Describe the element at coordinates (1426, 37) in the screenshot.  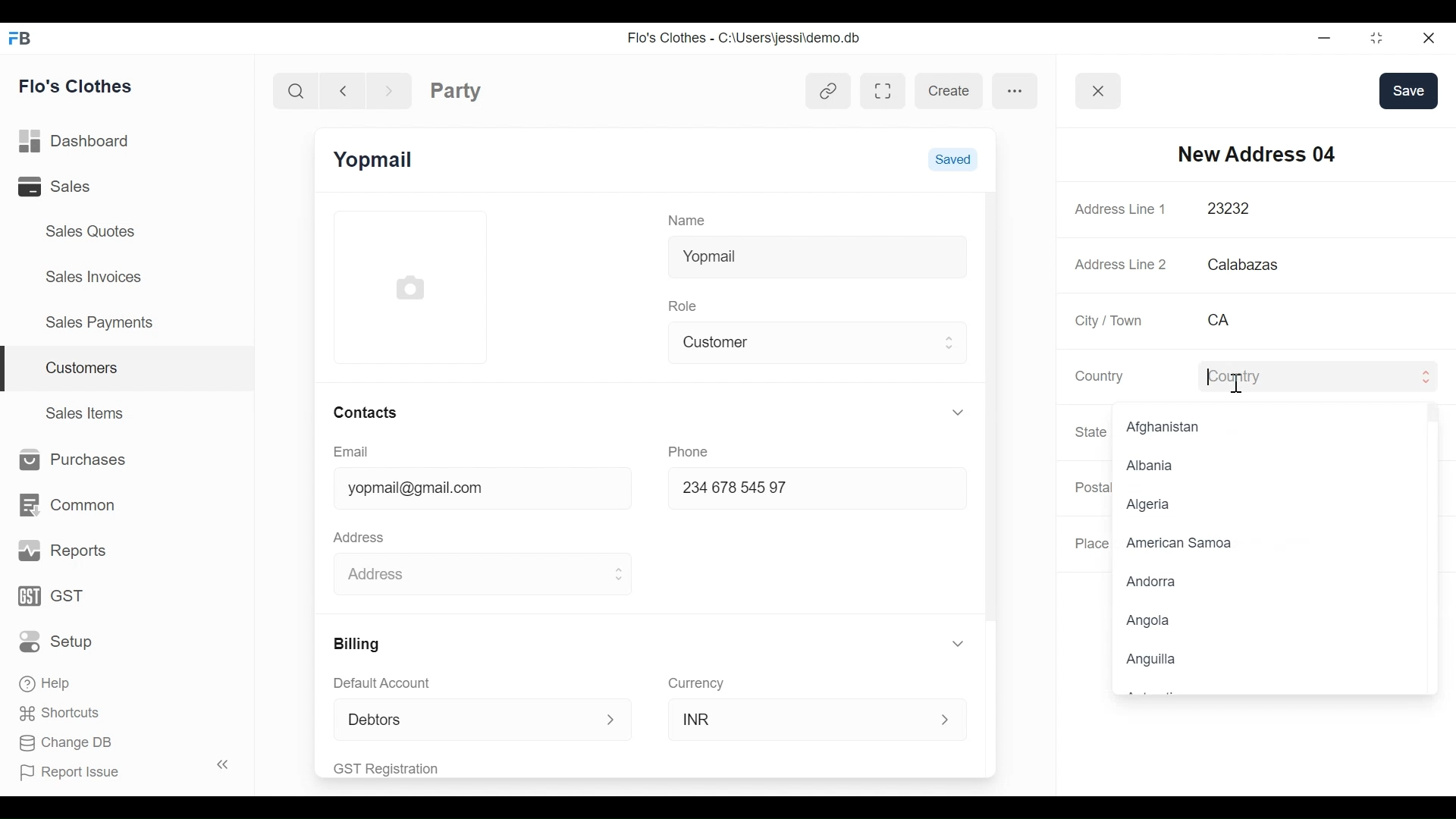
I see `Close` at that location.